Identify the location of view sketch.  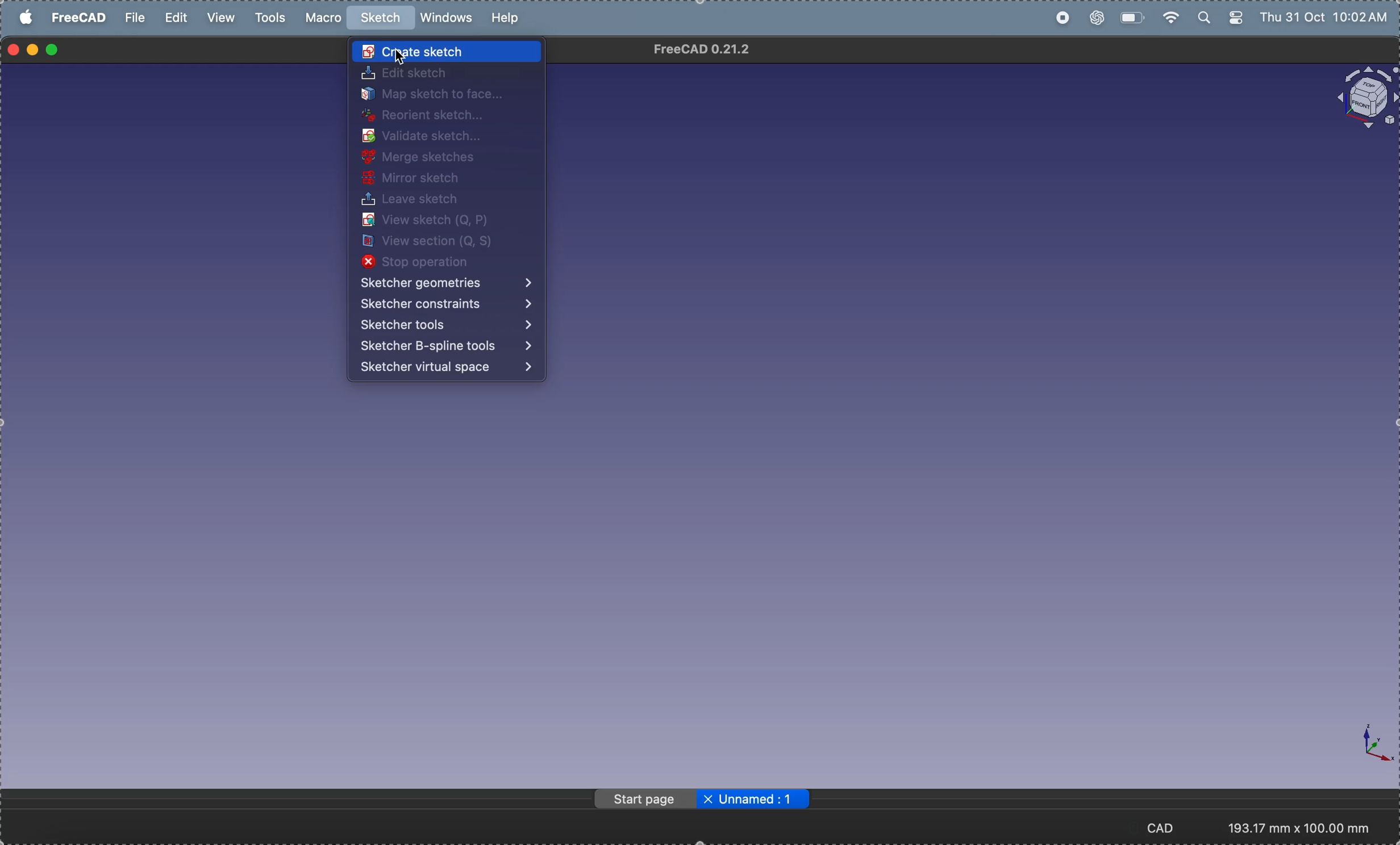
(430, 220).